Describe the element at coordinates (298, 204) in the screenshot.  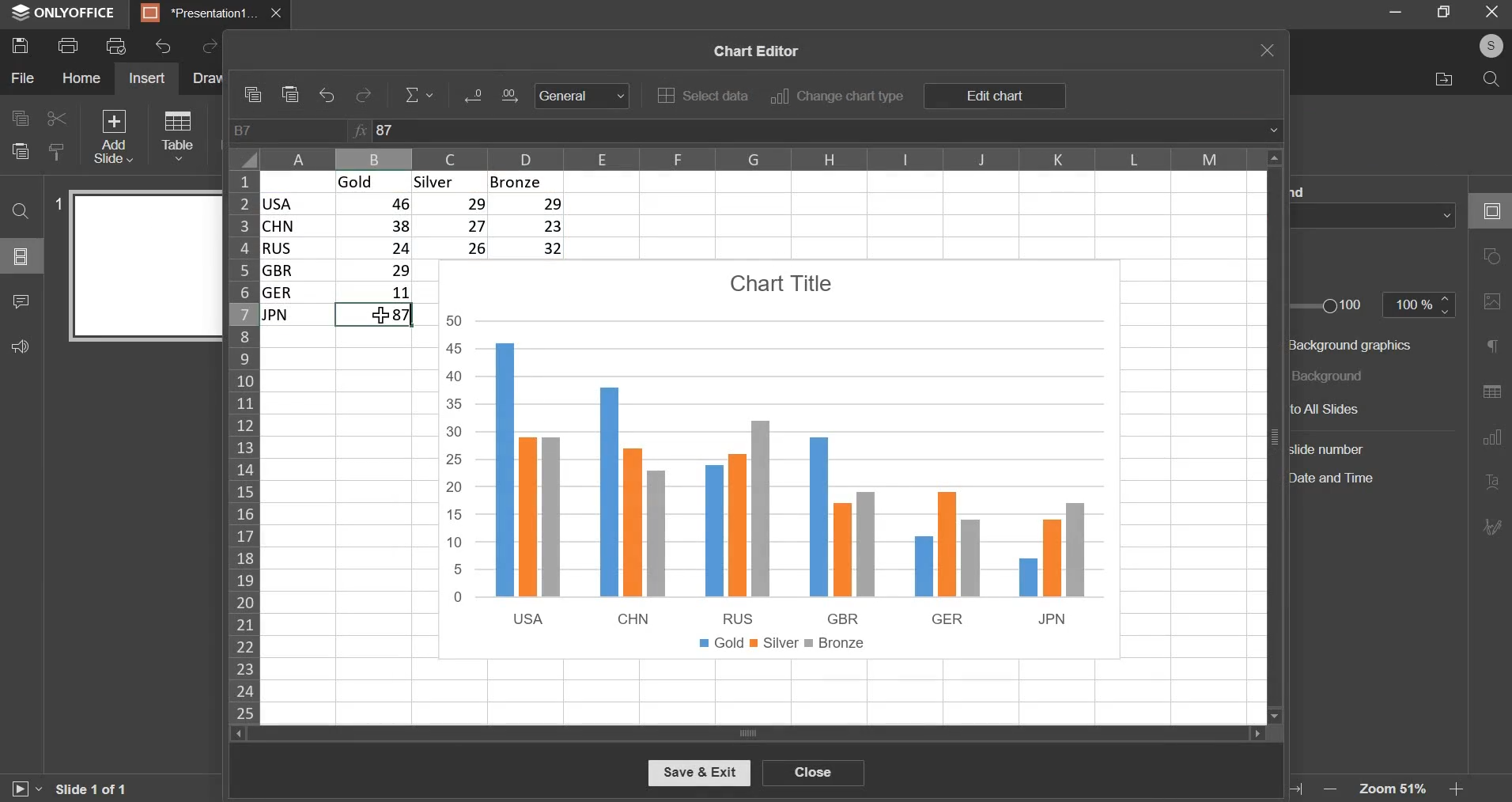
I see `usa` at that location.